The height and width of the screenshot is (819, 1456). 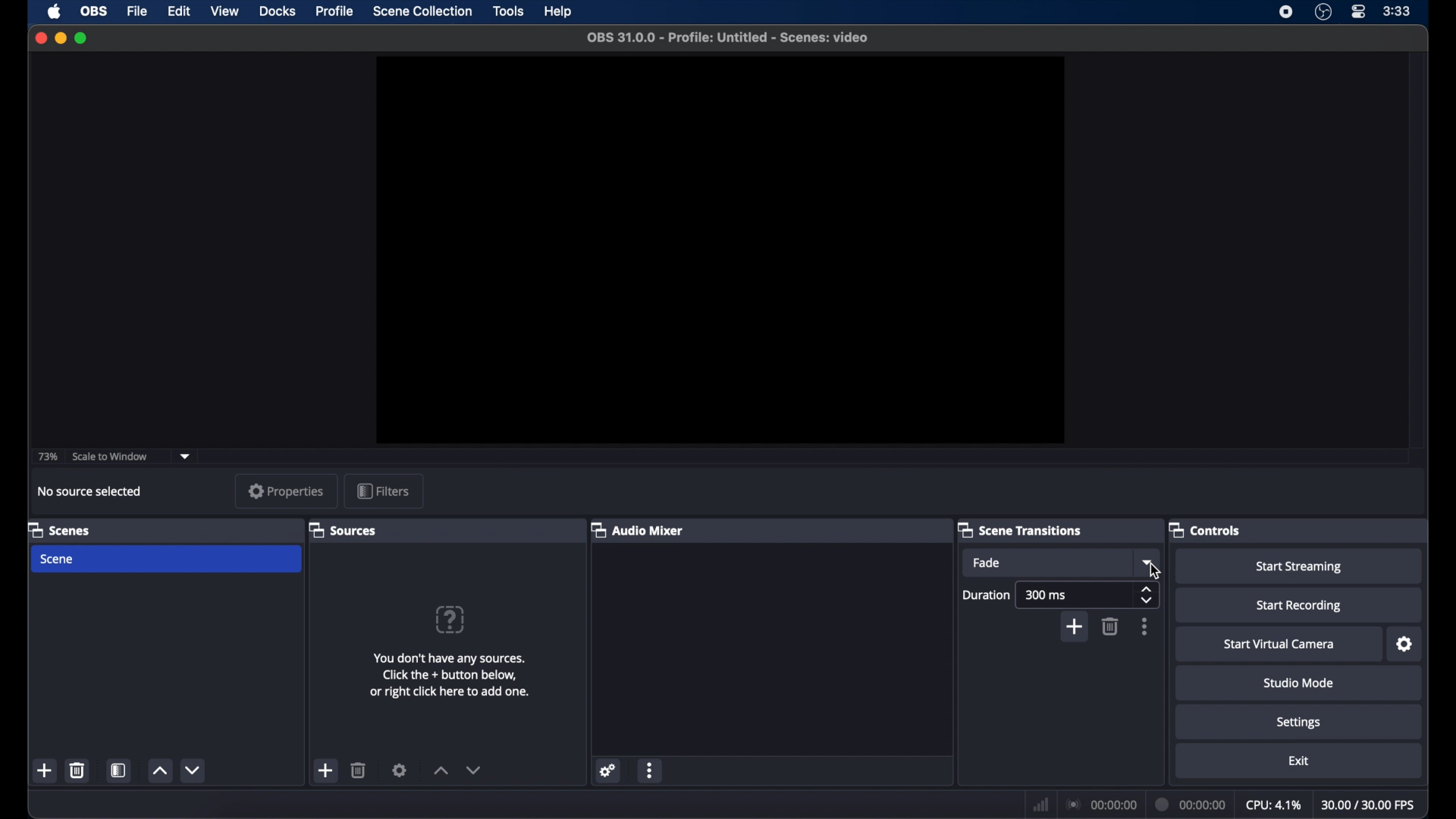 I want to click on apple icon, so click(x=55, y=12).